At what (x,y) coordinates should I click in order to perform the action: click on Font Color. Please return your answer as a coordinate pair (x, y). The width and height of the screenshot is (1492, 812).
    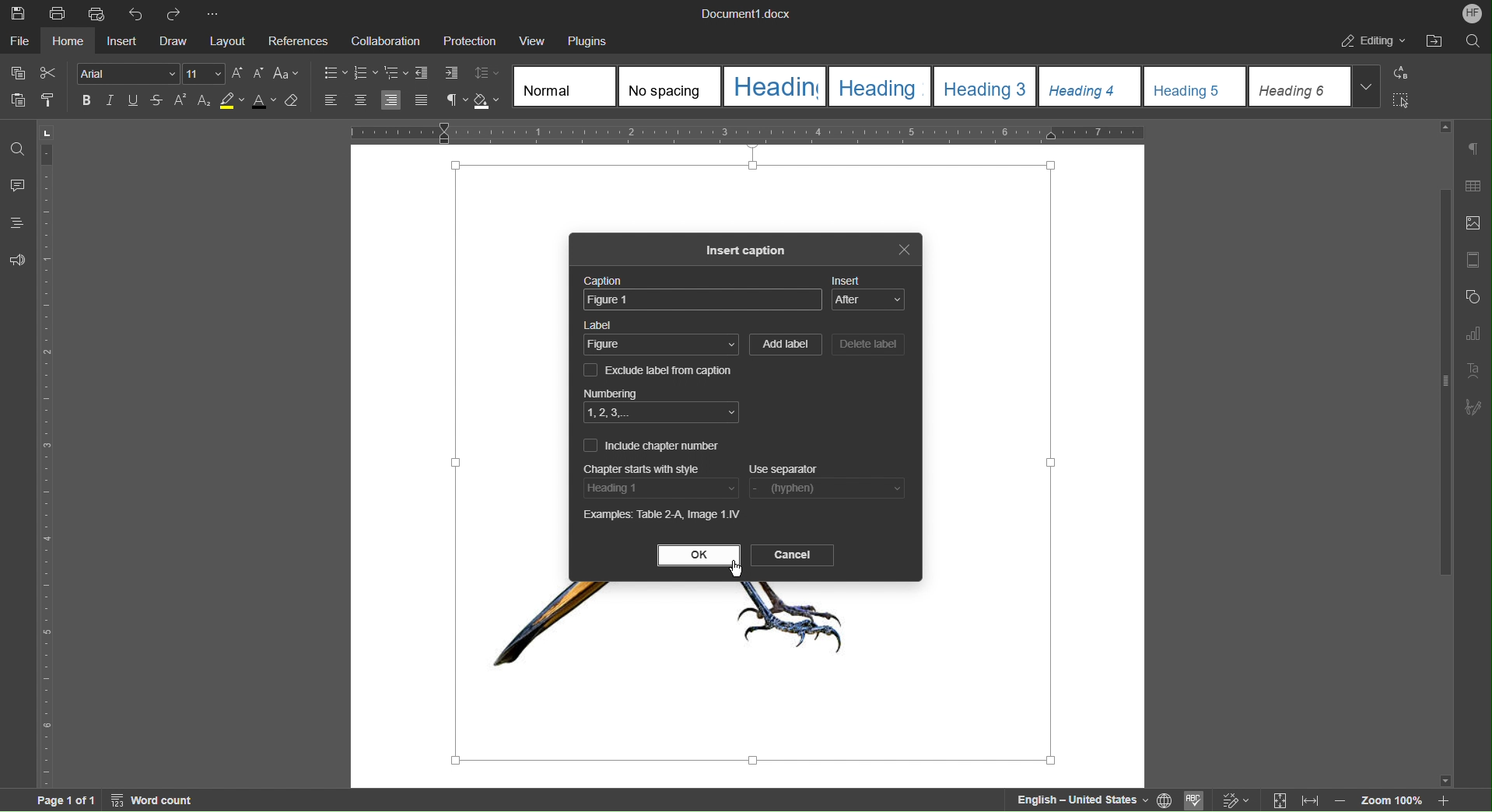
    Looking at the image, I should click on (264, 102).